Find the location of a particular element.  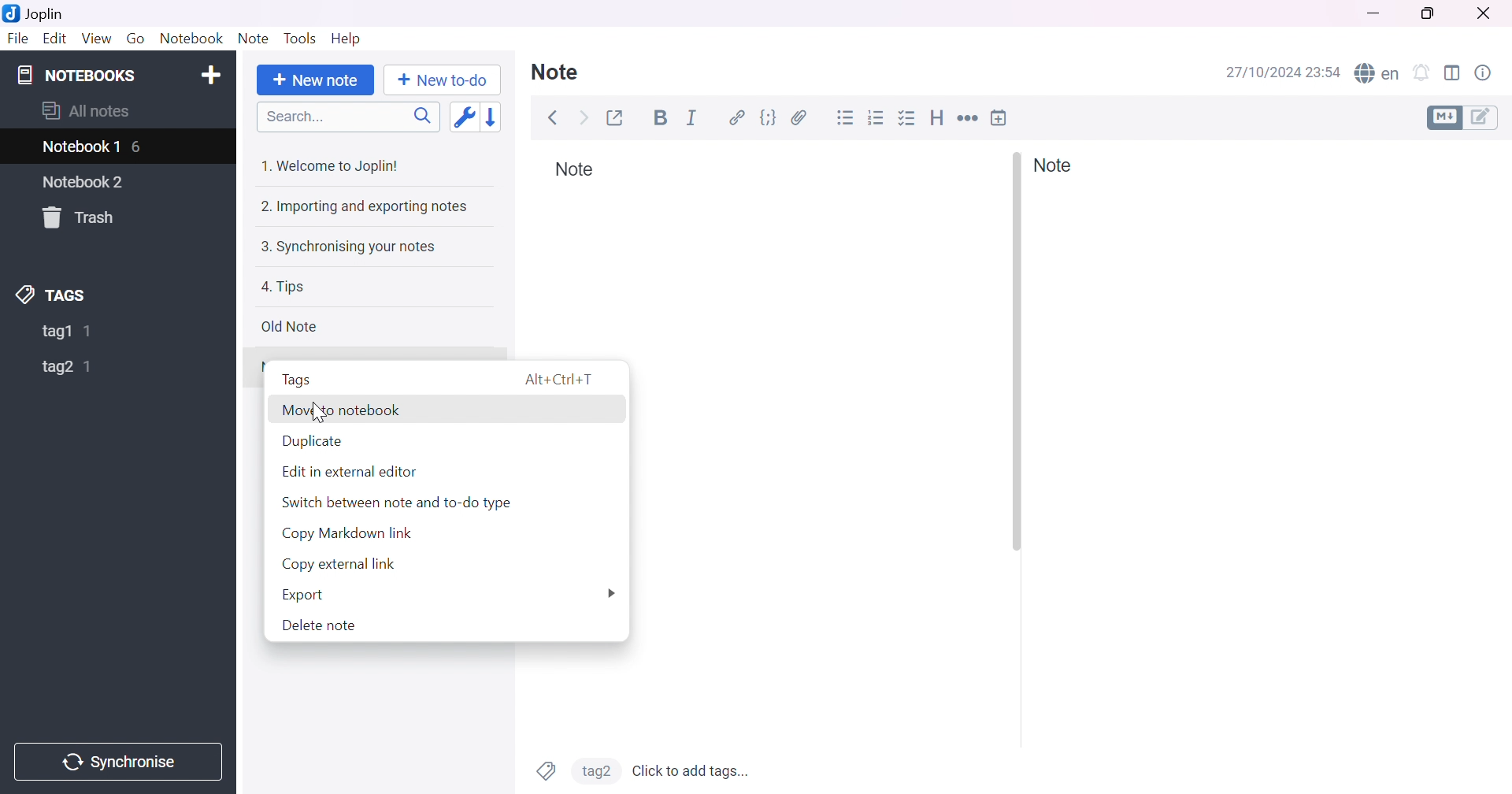

tag2 is located at coordinates (595, 770).